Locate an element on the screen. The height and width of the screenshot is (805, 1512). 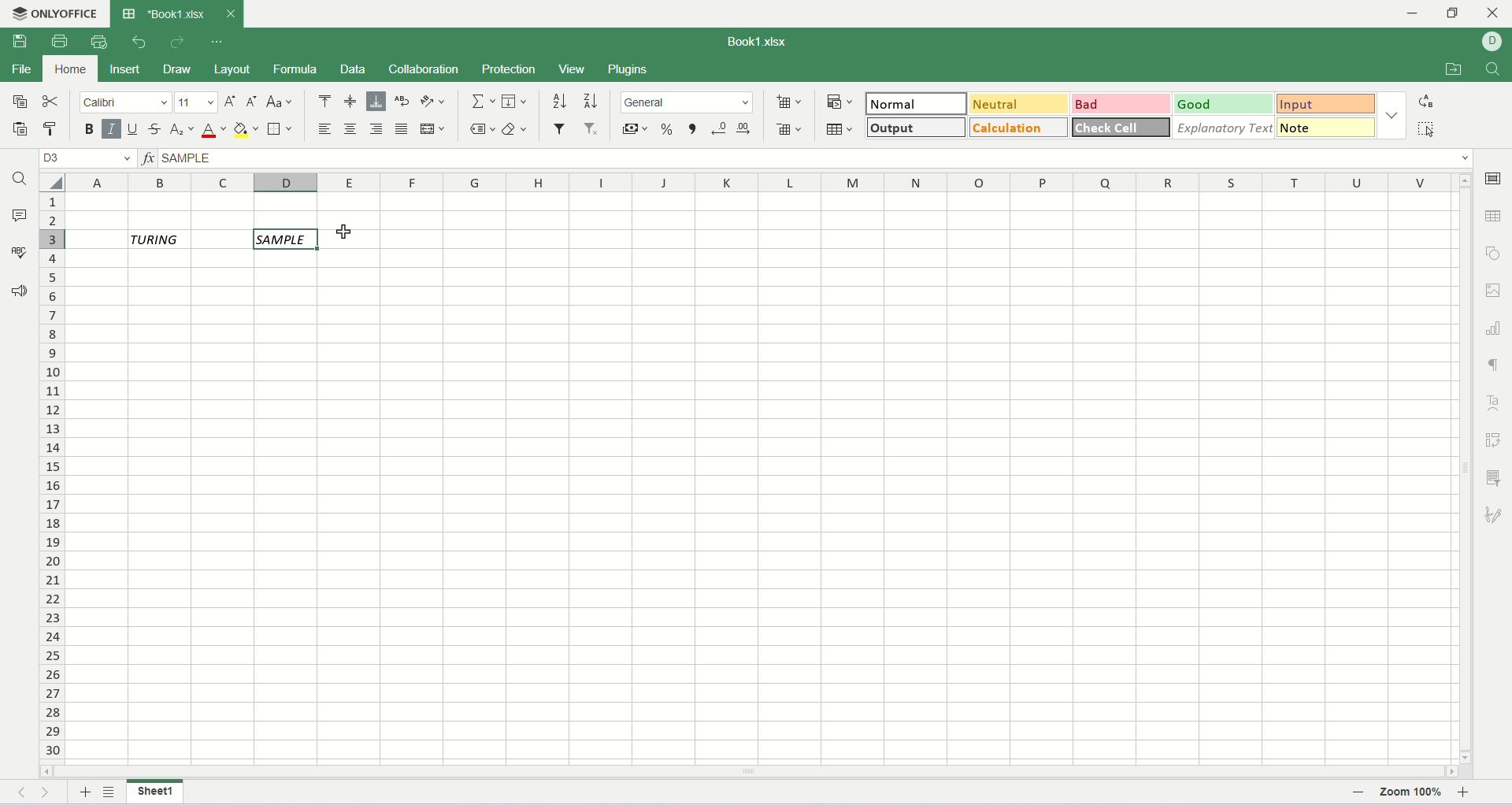
plugins is located at coordinates (627, 71).